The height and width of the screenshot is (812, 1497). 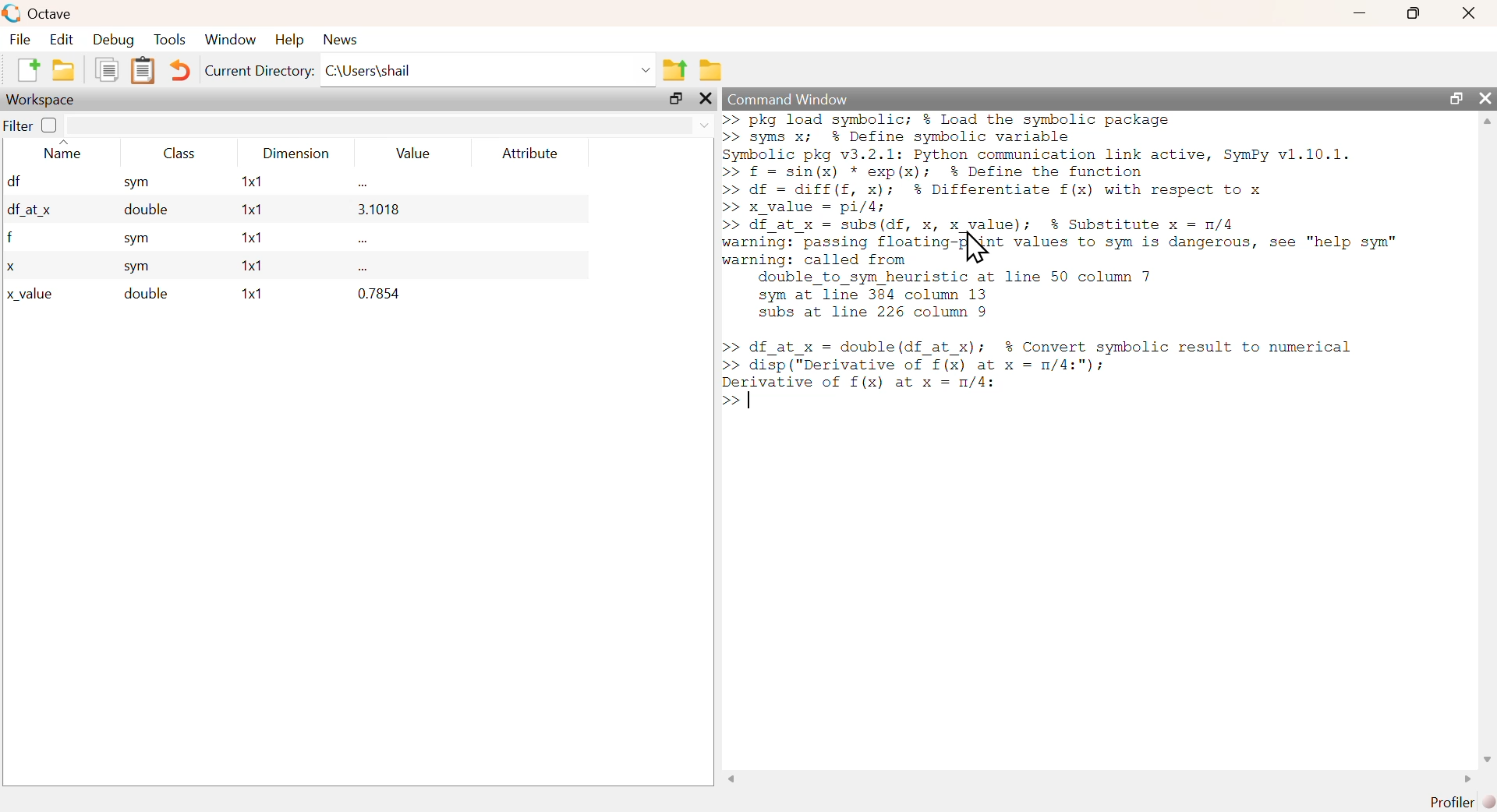 What do you see at coordinates (487, 70) in the screenshot?
I see `C:\Users\shail` at bounding box center [487, 70].